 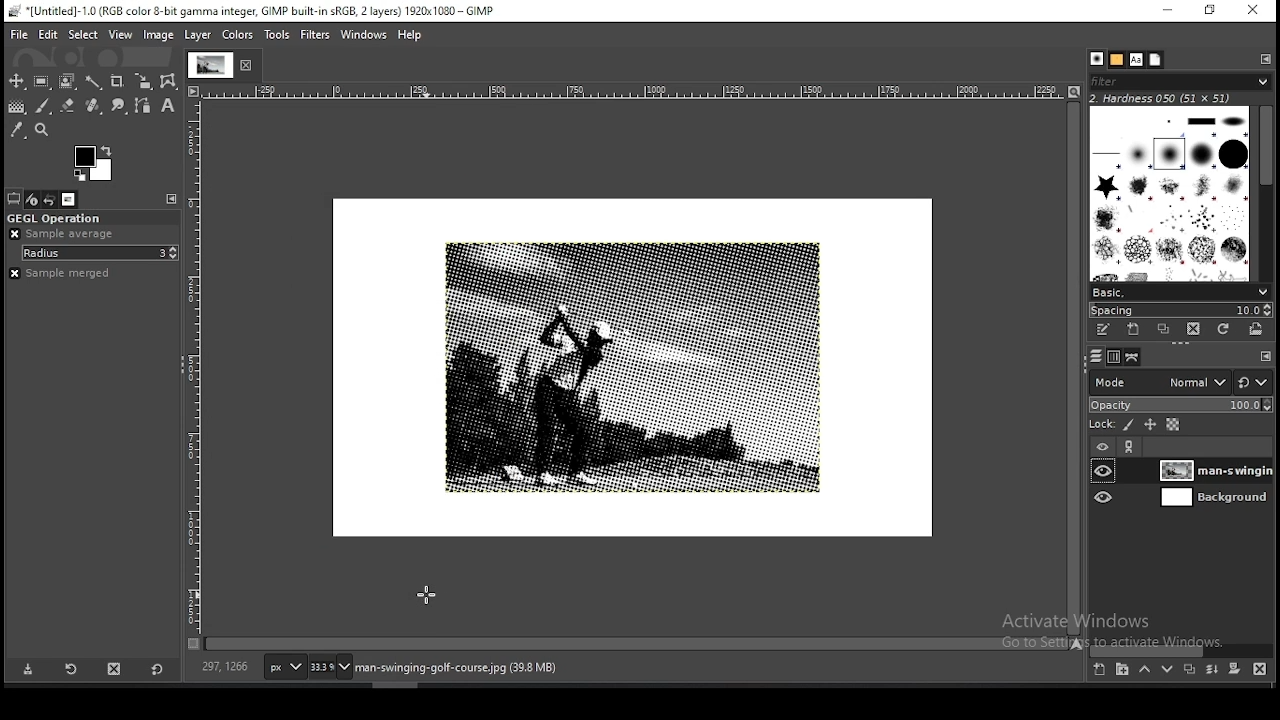 I want to click on help, so click(x=409, y=36).